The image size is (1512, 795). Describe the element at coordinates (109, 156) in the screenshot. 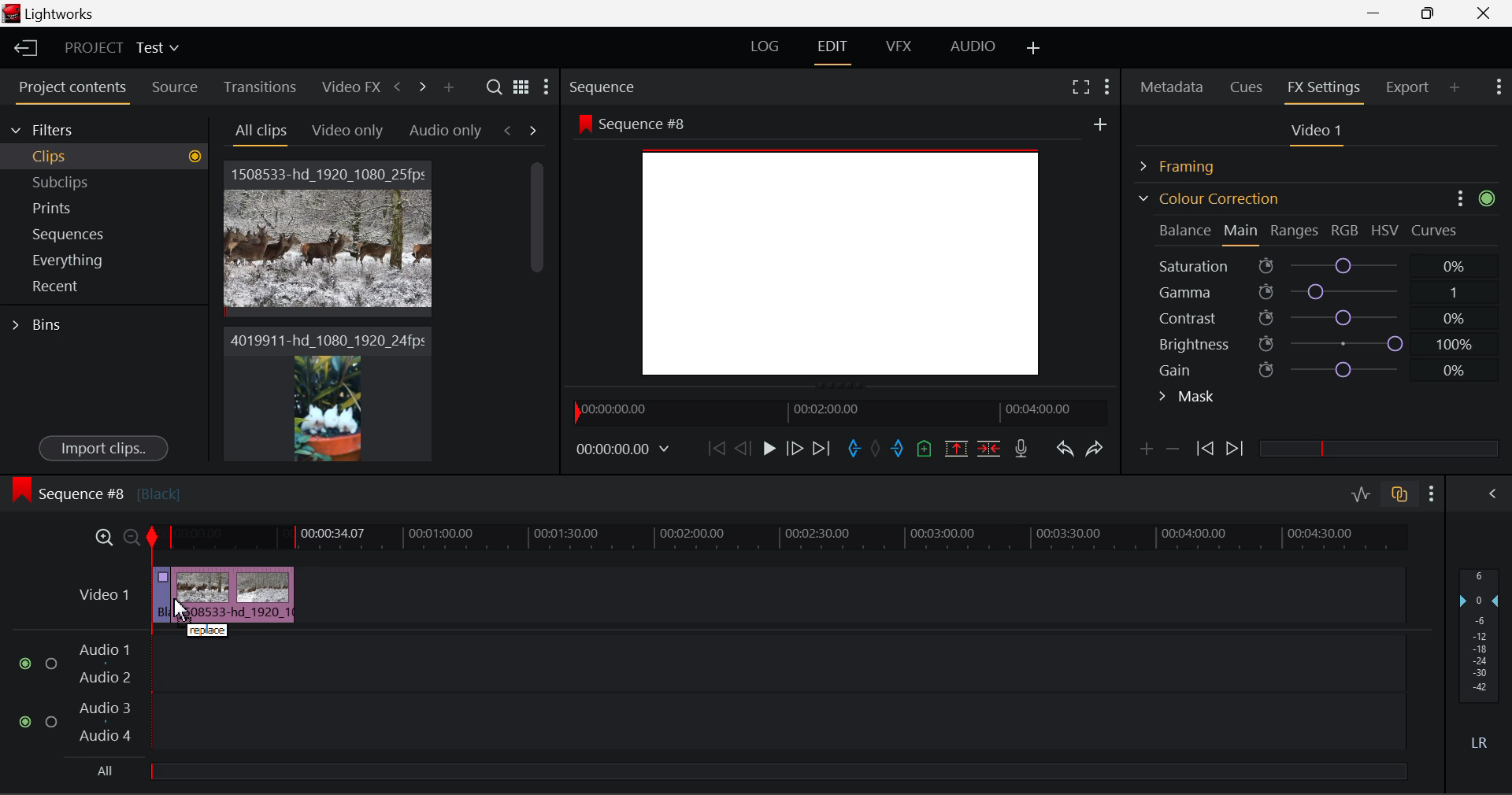

I see `Clips Tab Open` at that location.